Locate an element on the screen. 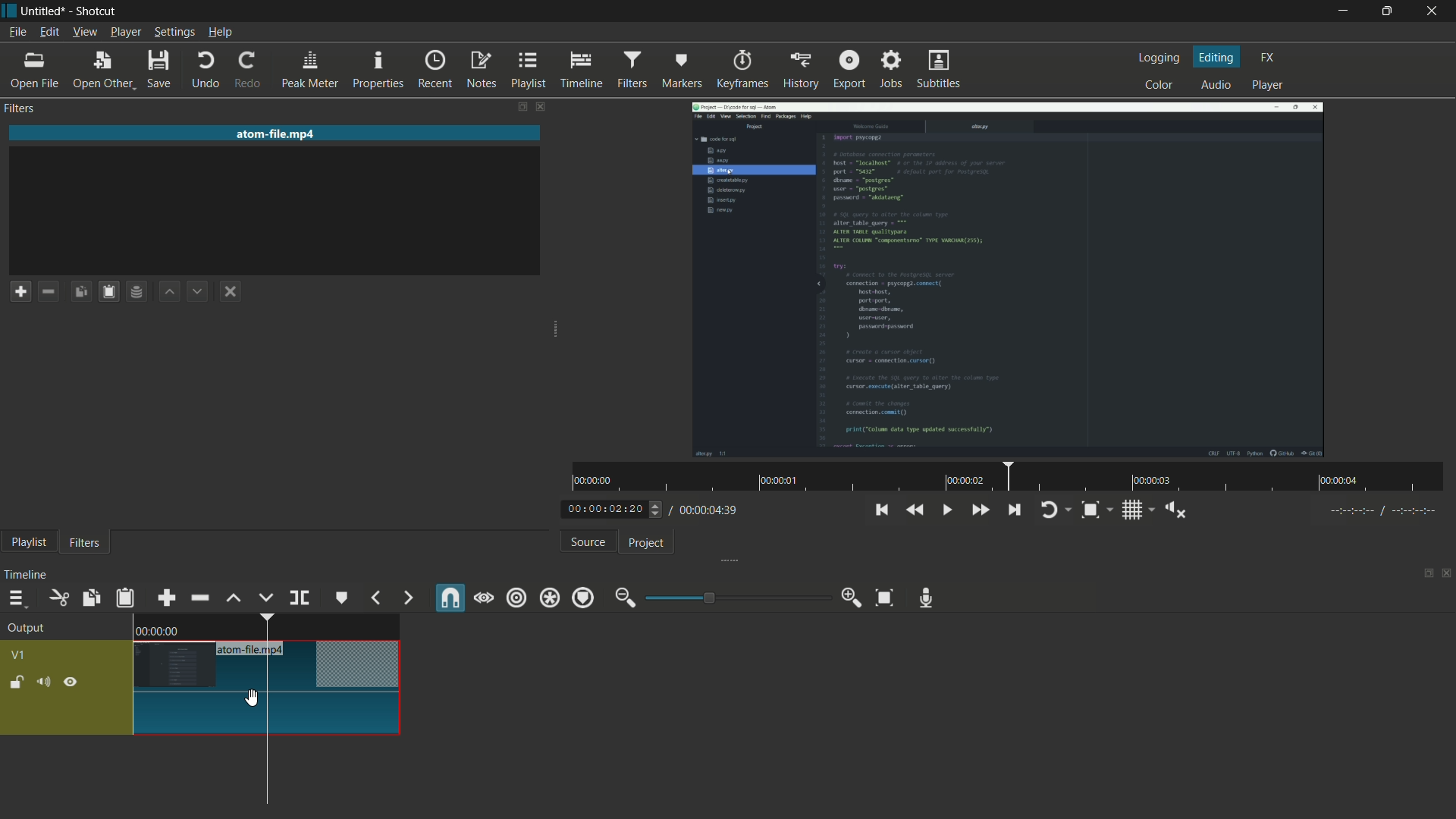 This screenshot has height=819, width=1456. open file is located at coordinates (33, 72).